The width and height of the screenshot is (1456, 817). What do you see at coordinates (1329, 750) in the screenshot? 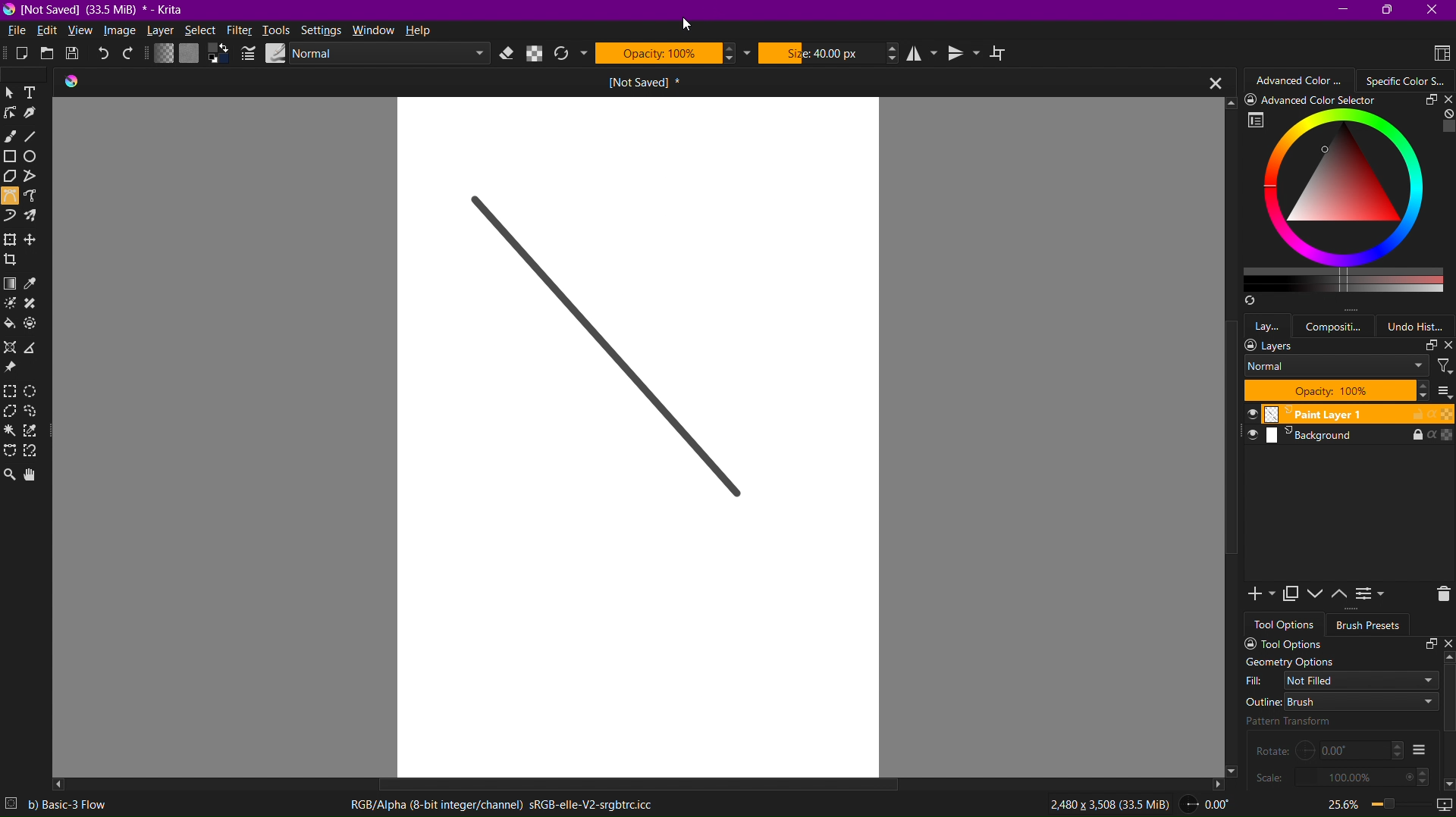
I see `Rotate` at bounding box center [1329, 750].